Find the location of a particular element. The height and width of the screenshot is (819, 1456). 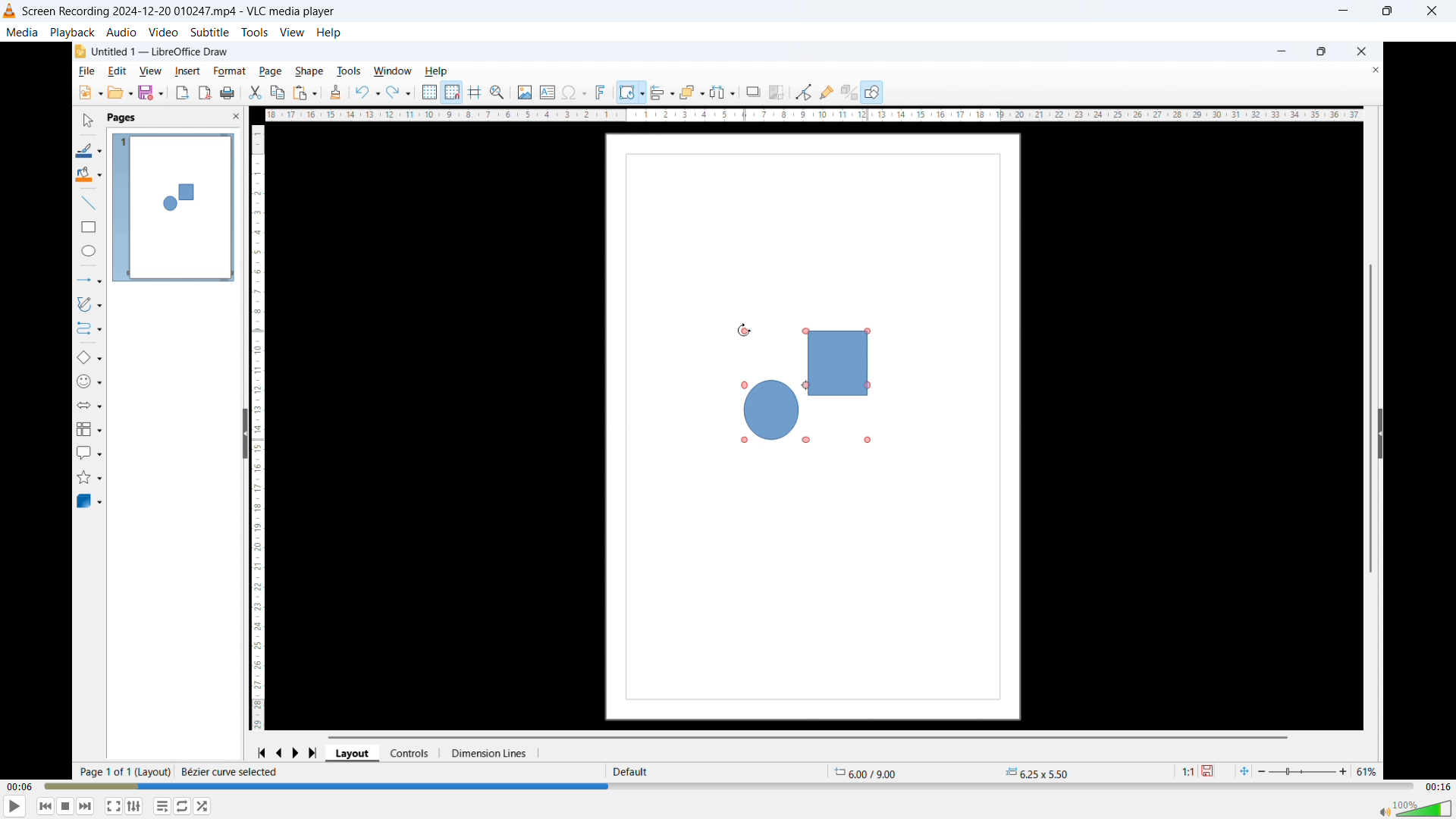

play  is located at coordinates (16, 805).